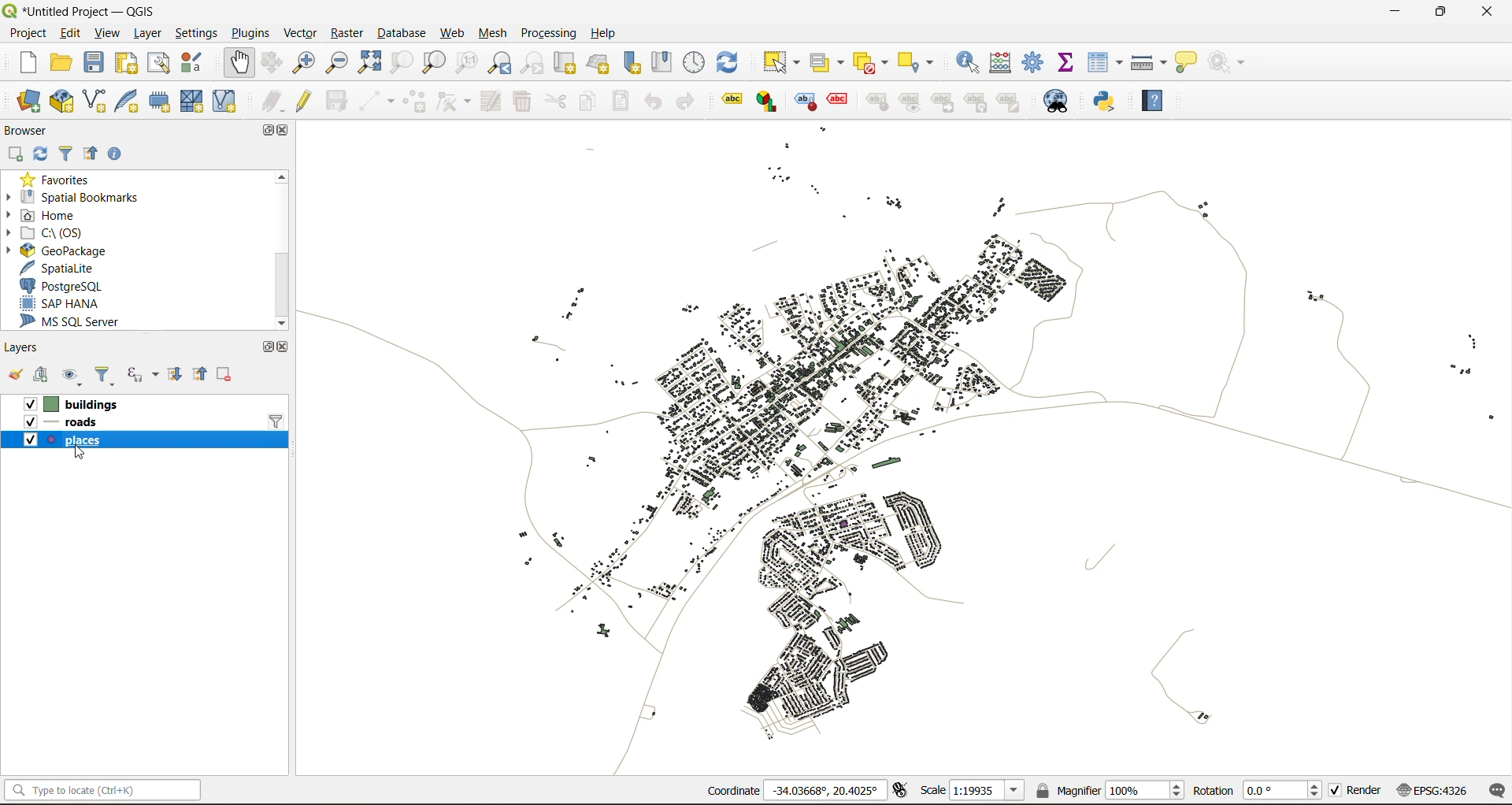 The image size is (1512, 805). Describe the element at coordinates (91, 154) in the screenshot. I see `collapse all` at that location.